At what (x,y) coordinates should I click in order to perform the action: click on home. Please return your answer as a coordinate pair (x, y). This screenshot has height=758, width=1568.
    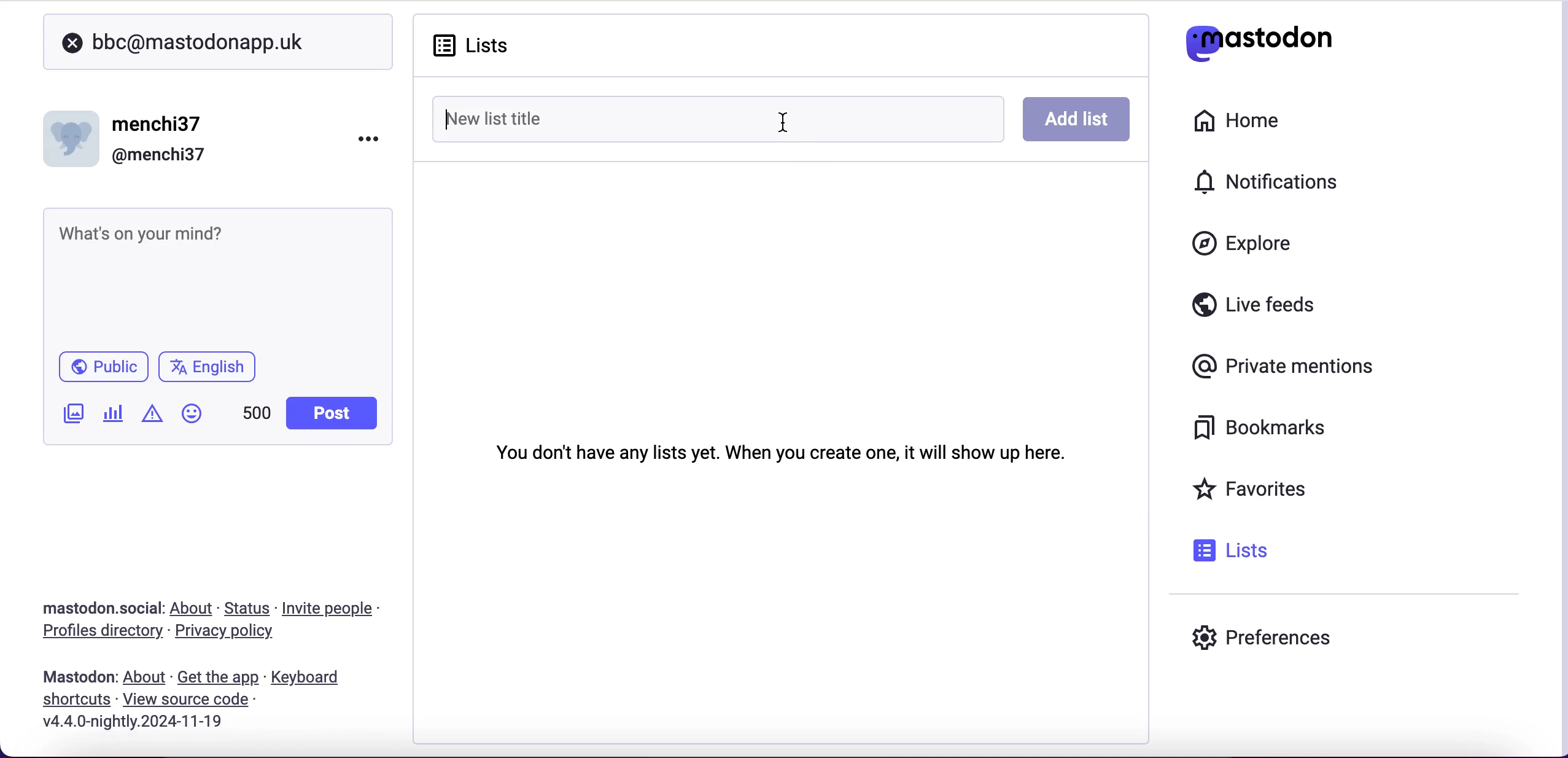
    Looking at the image, I should click on (1241, 119).